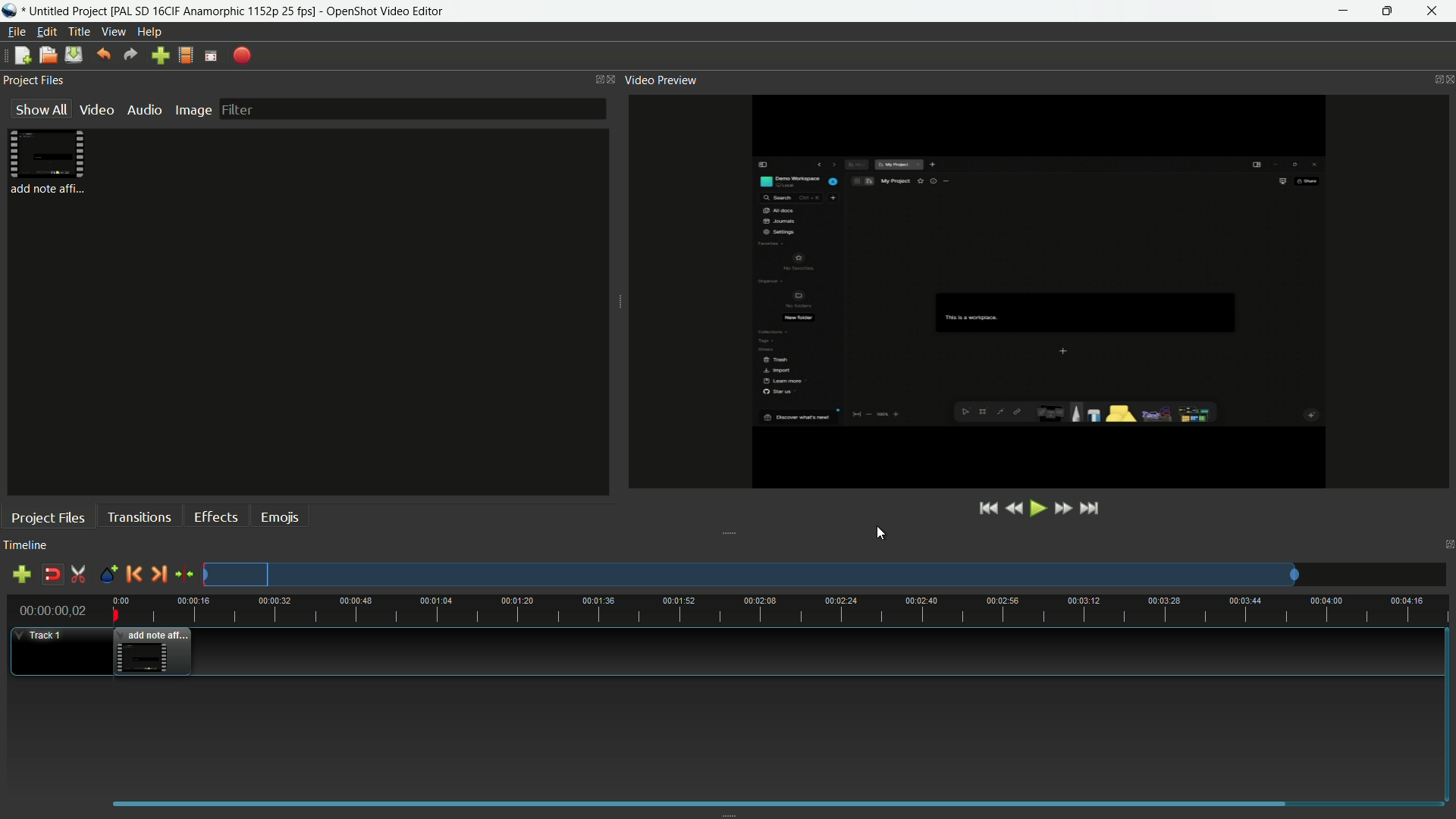 The image size is (1456, 819). I want to click on audio, so click(143, 108).